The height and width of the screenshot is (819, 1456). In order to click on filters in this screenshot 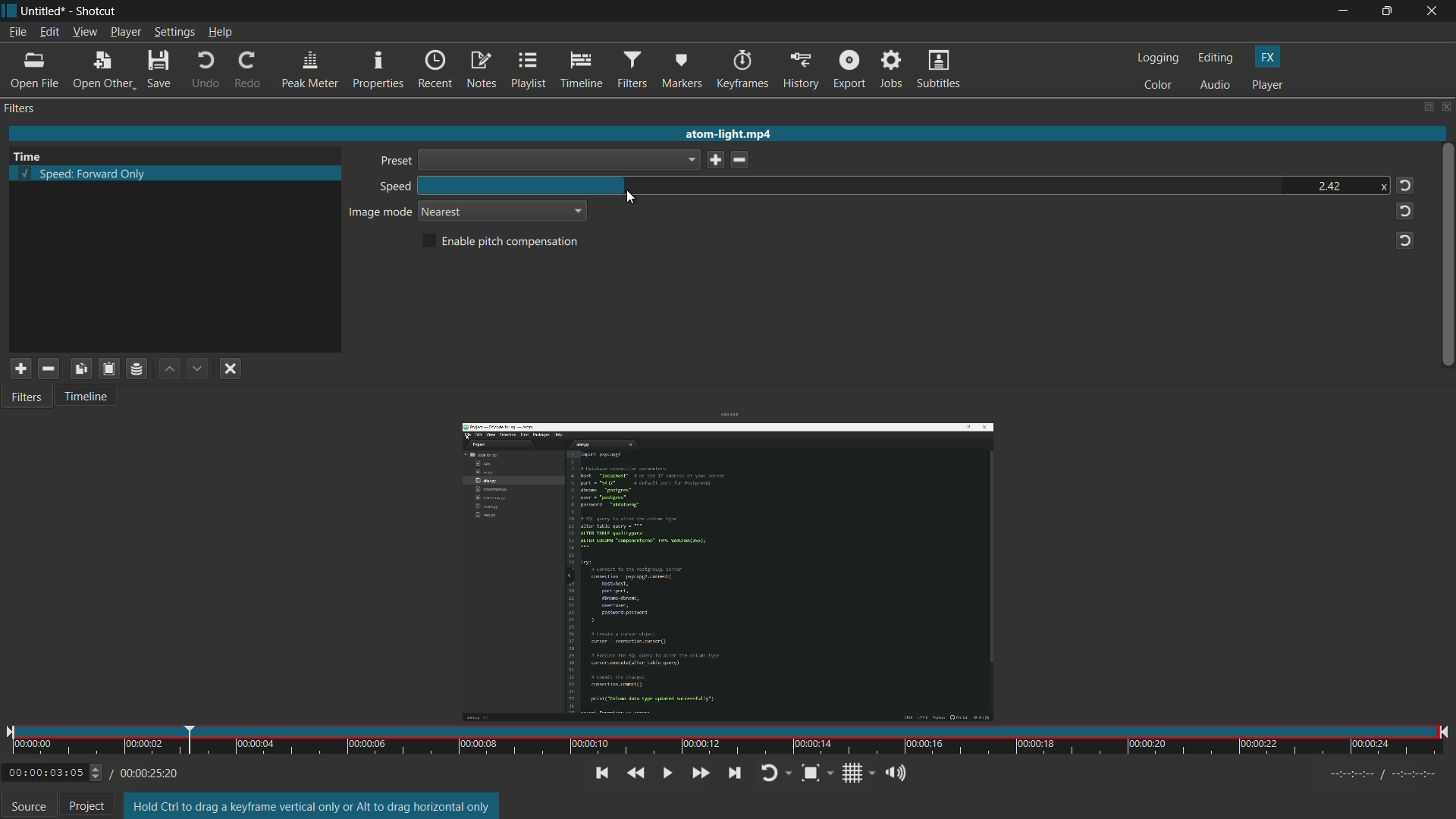, I will do `click(632, 71)`.